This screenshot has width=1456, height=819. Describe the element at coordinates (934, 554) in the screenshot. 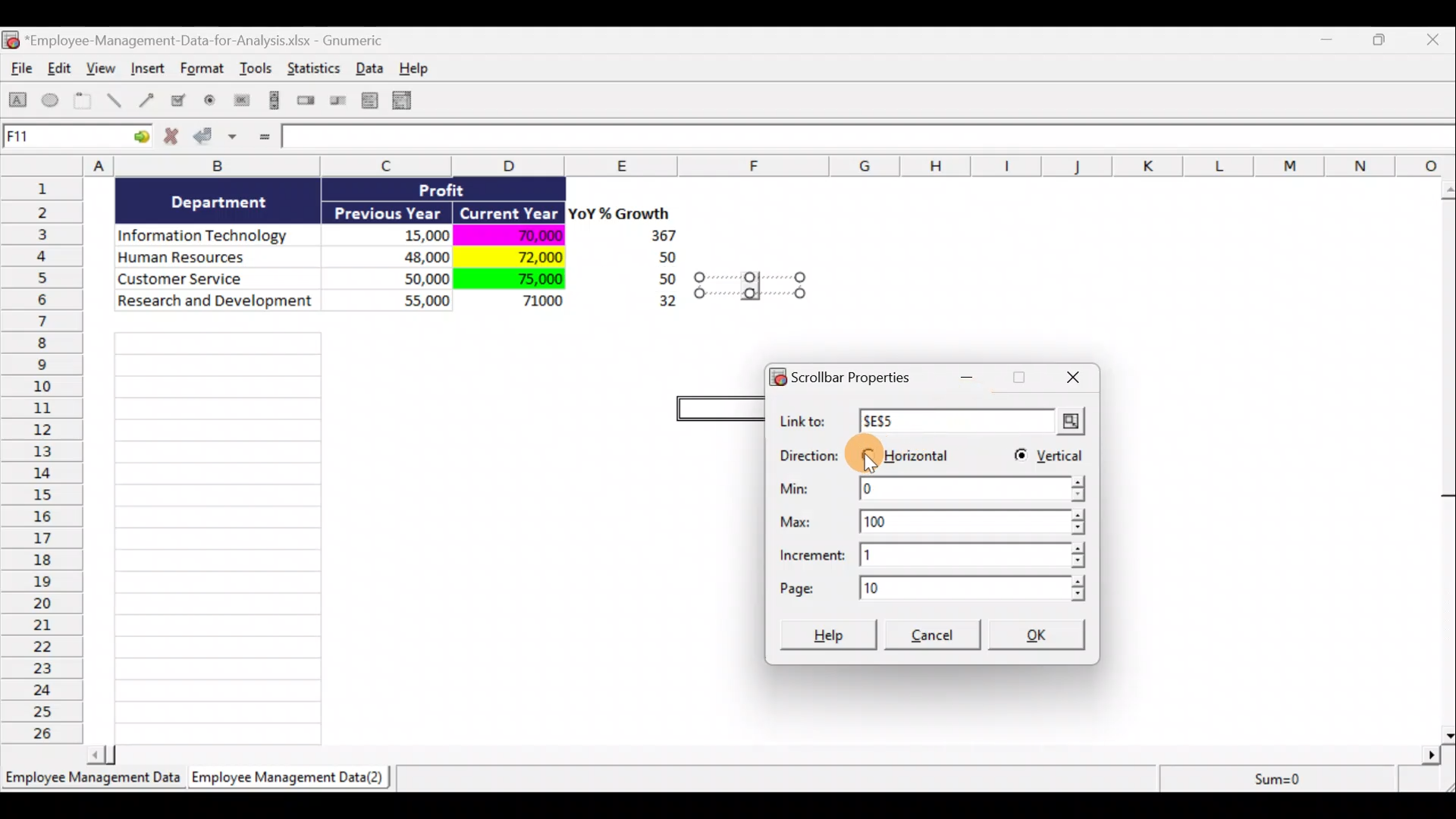

I see `Increment` at that location.